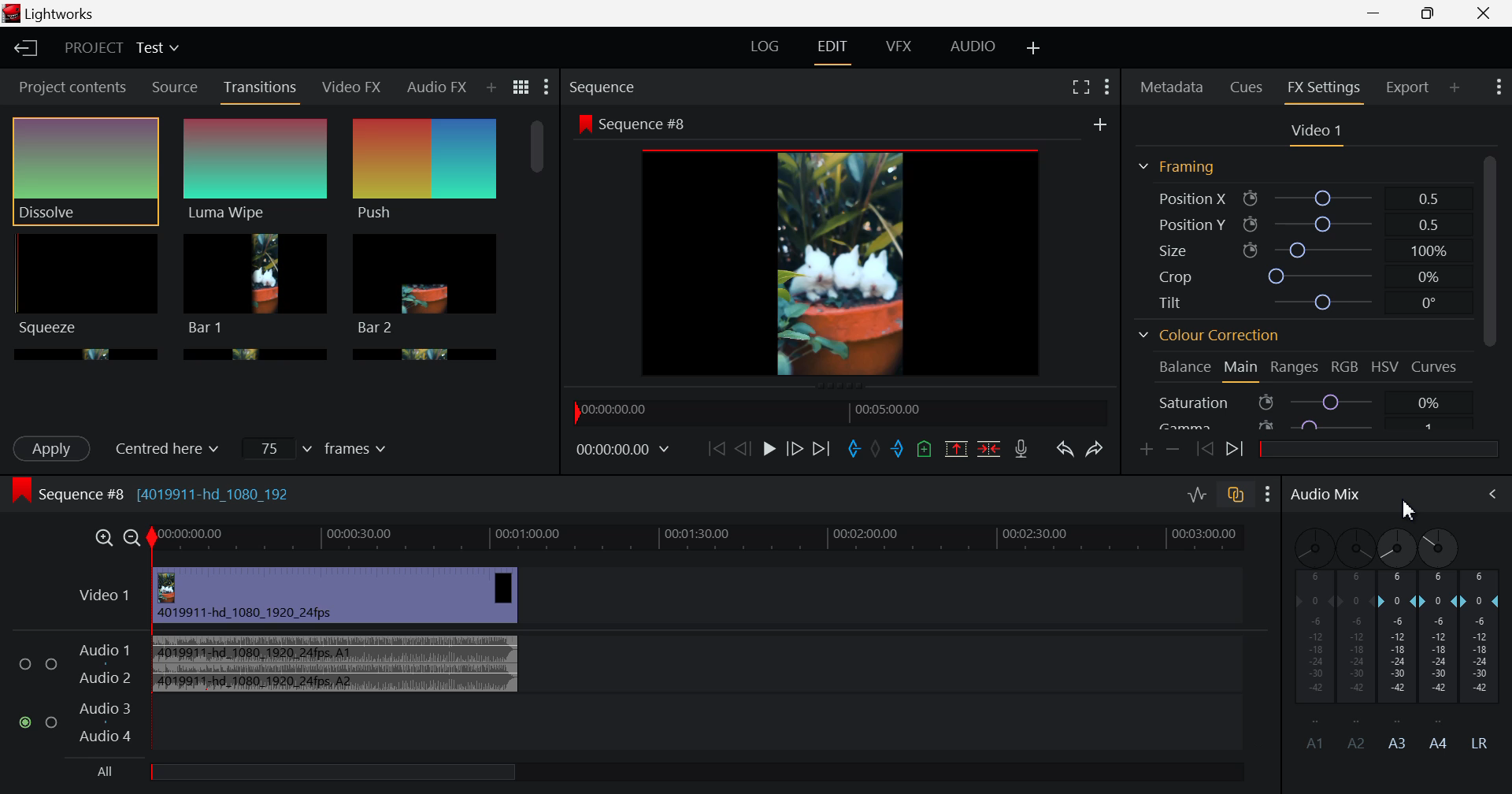  What do you see at coordinates (1385, 369) in the screenshot?
I see `HSV` at bounding box center [1385, 369].